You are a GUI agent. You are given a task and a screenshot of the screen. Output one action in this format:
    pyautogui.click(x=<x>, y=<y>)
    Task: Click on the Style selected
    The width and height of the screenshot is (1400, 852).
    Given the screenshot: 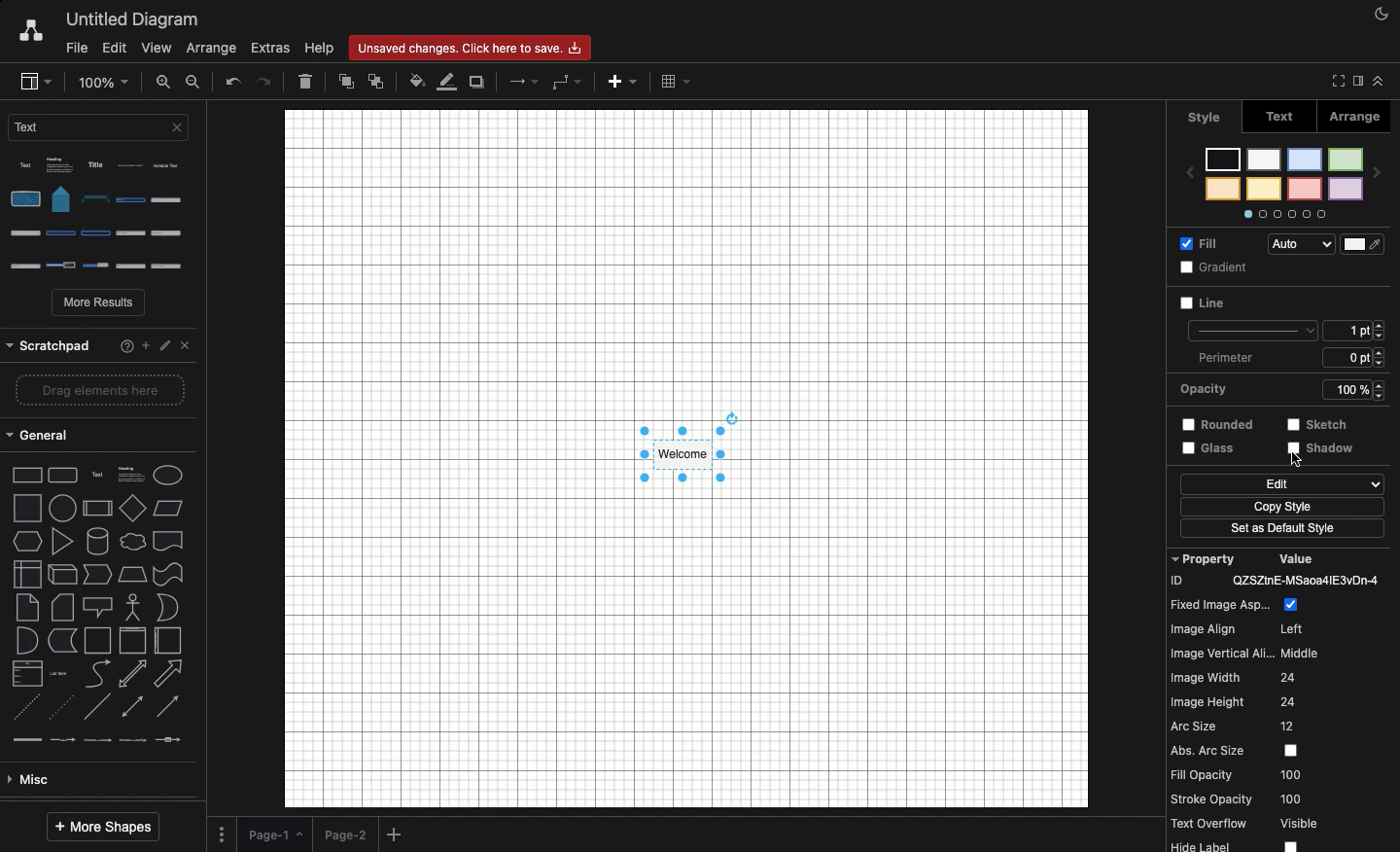 What is the action you would take?
    pyautogui.click(x=684, y=455)
    